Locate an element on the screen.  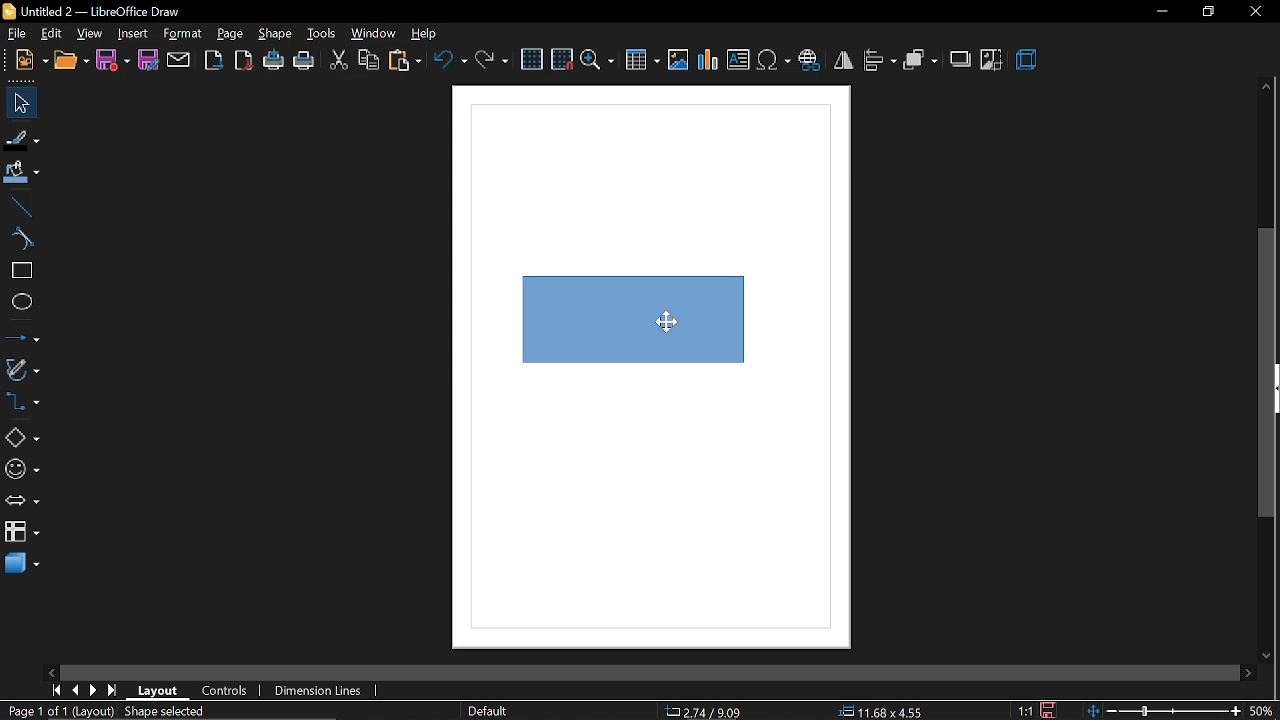
symbol shapes is located at coordinates (21, 469).